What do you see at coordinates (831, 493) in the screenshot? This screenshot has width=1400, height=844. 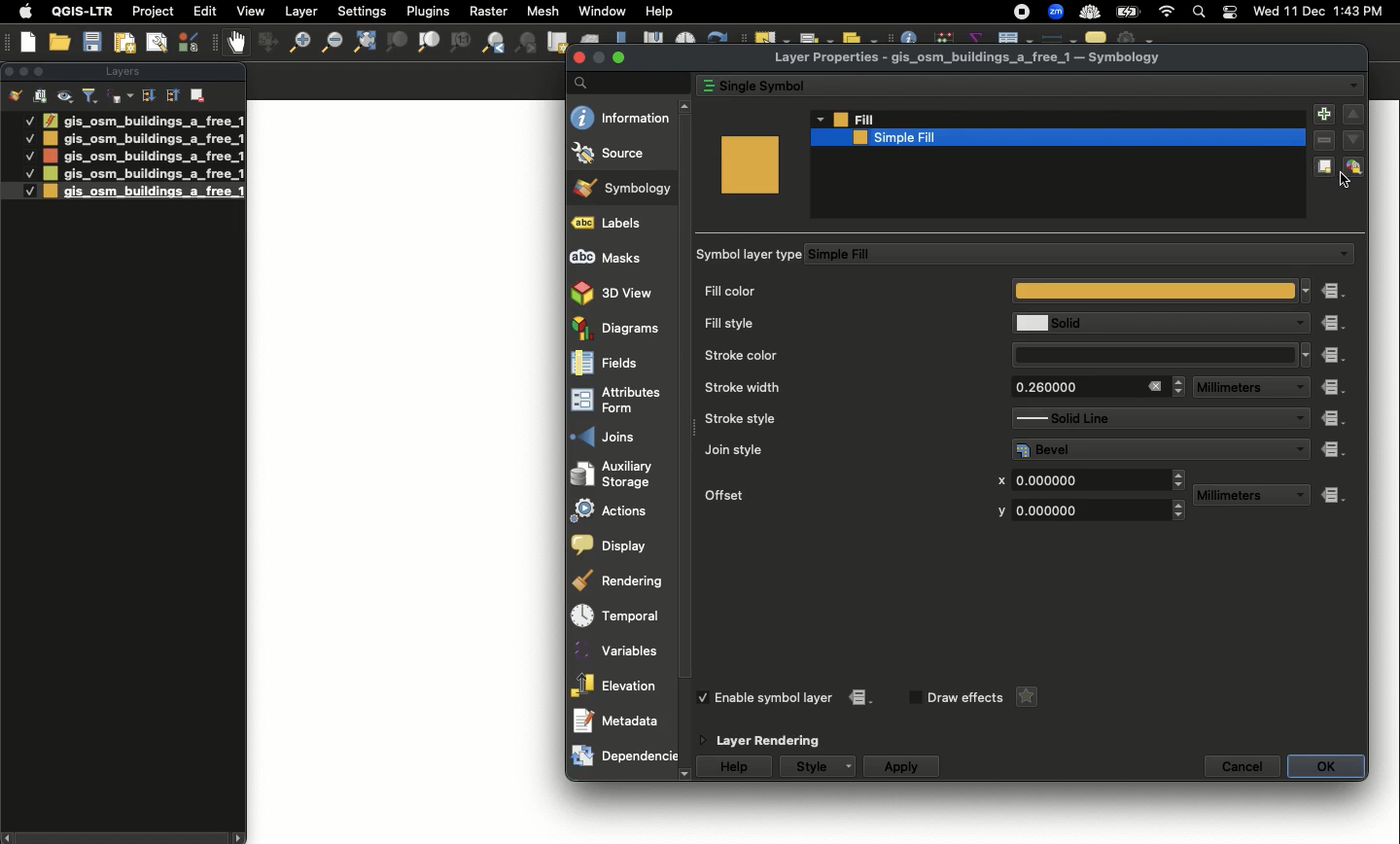 I see `Offset` at bounding box center [831, 493].